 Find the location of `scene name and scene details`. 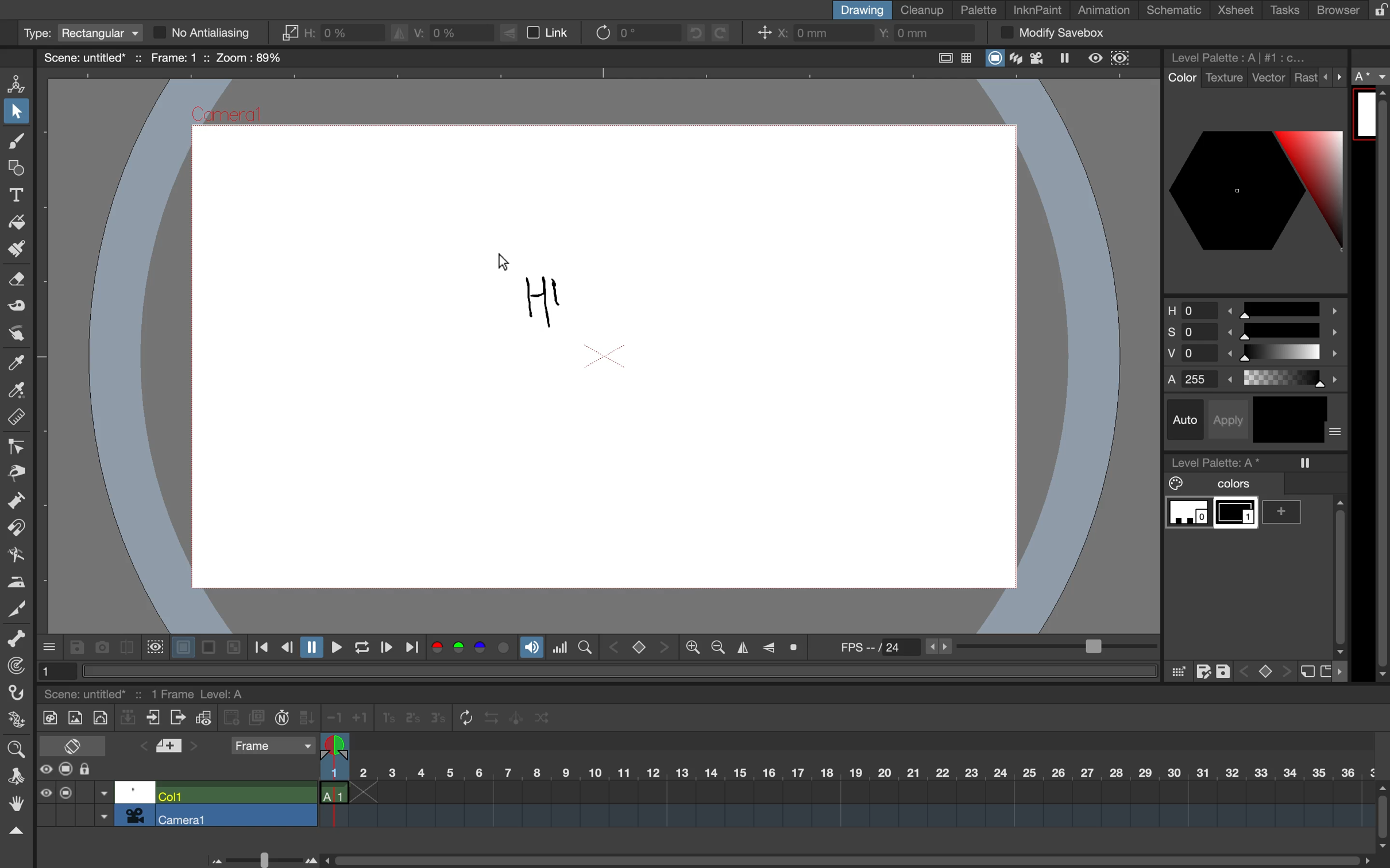

scene name and scene details is located at coordinates (163, 57).